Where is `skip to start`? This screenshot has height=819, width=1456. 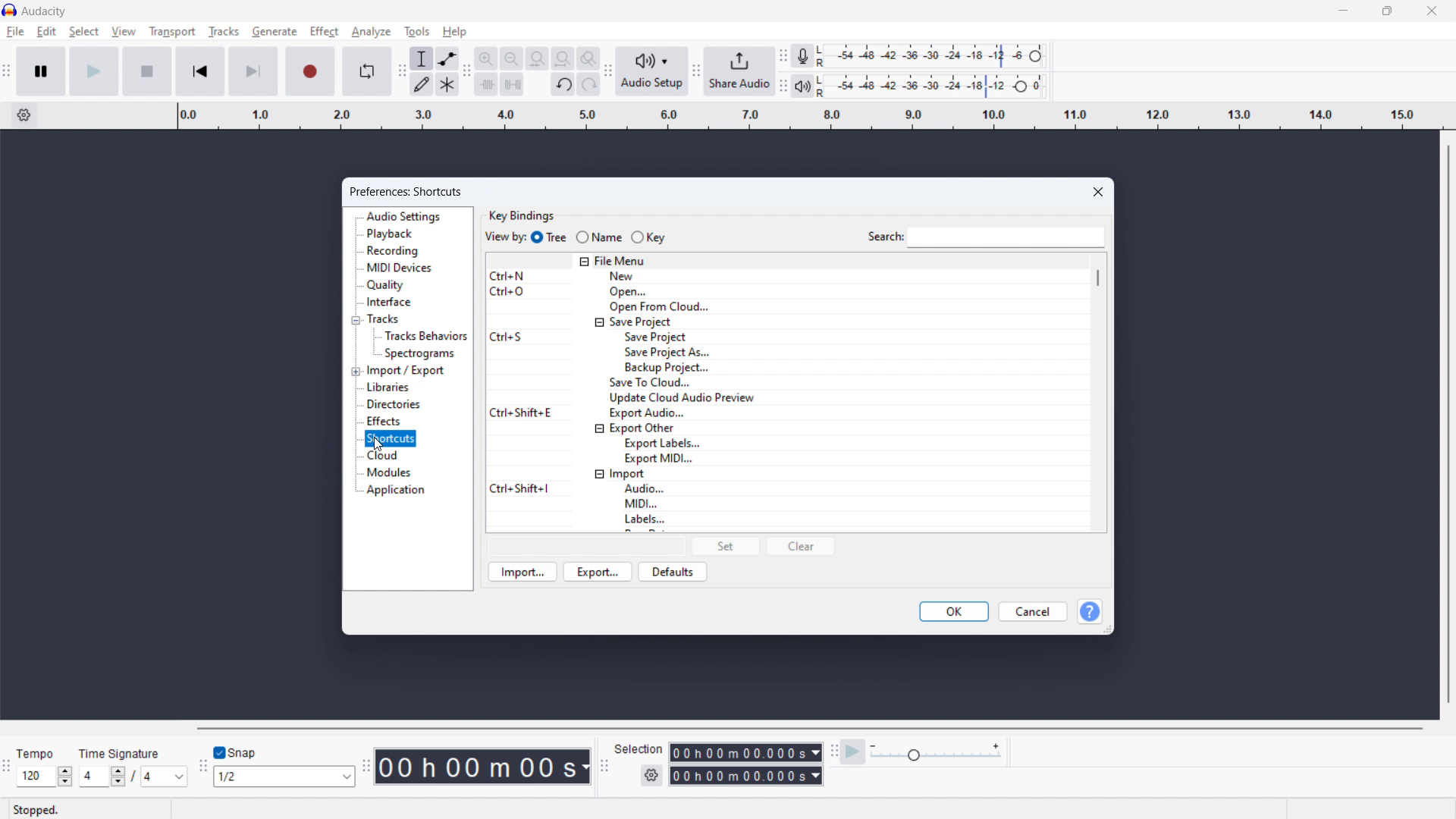 skip to start is located at coordinates (199, 71).